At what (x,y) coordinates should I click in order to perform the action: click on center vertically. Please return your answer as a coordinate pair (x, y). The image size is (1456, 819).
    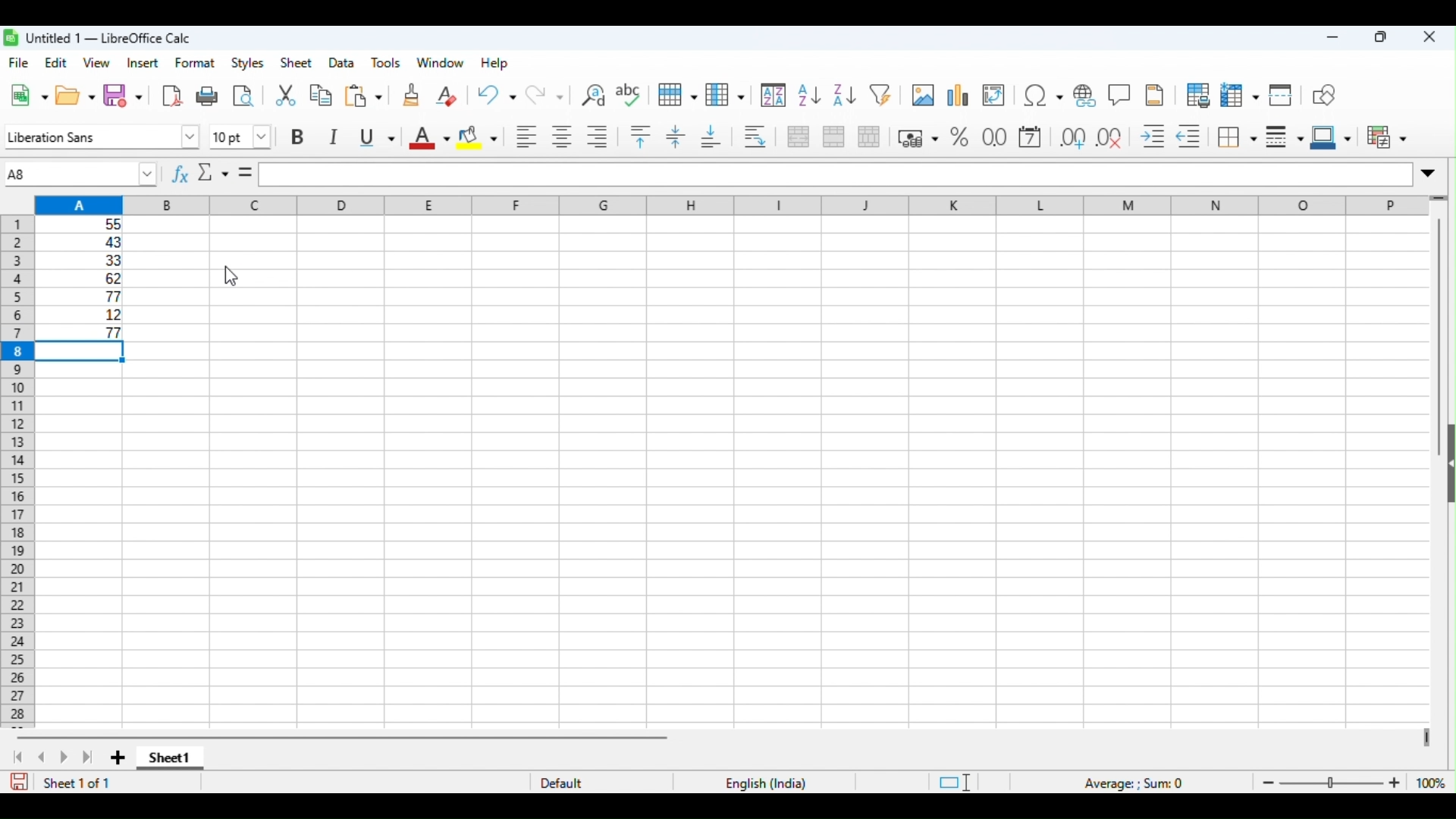
    Looking at the image, I should click on (674, 136).